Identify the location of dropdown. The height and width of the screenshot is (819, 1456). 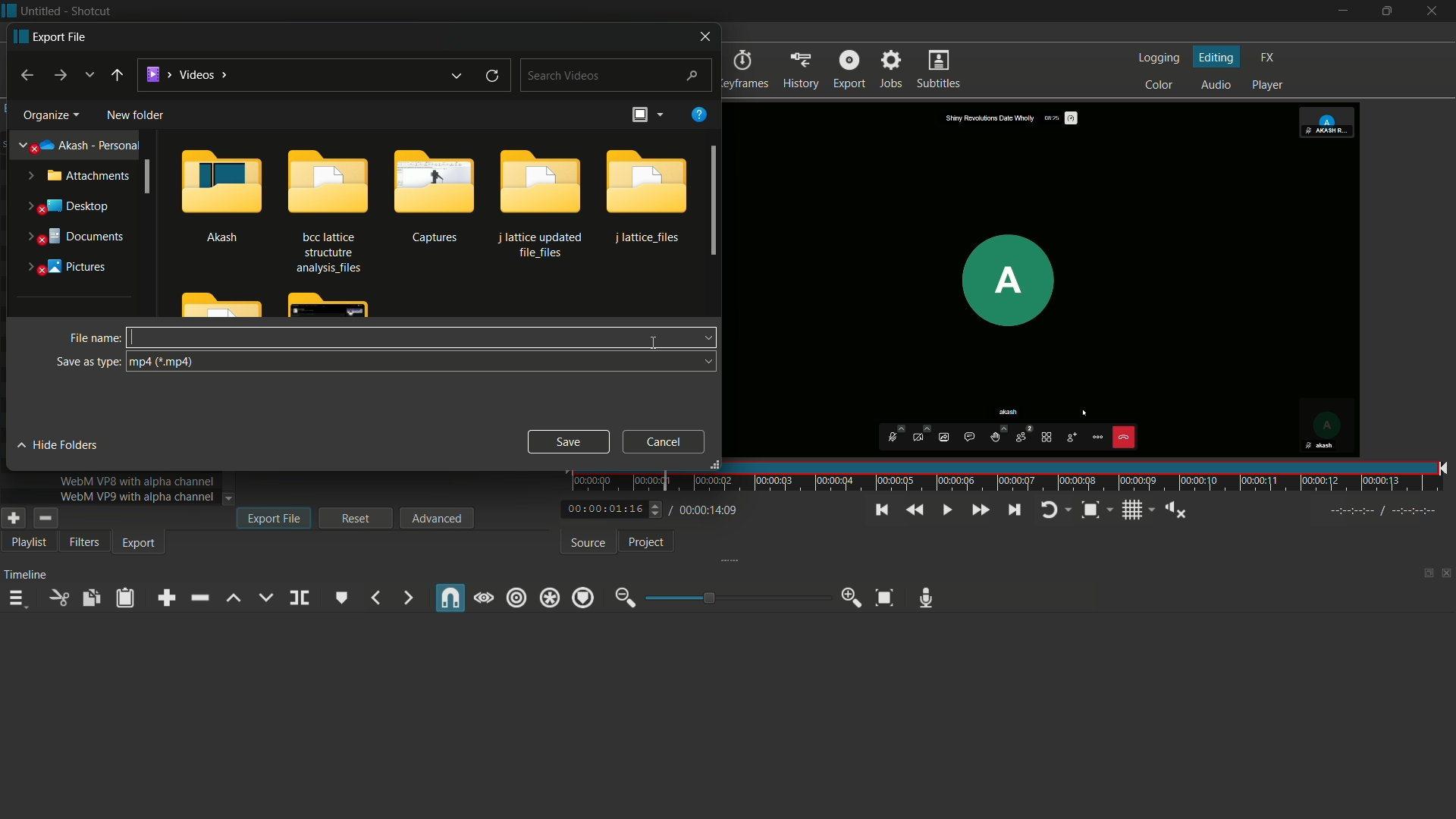
(704, 362).